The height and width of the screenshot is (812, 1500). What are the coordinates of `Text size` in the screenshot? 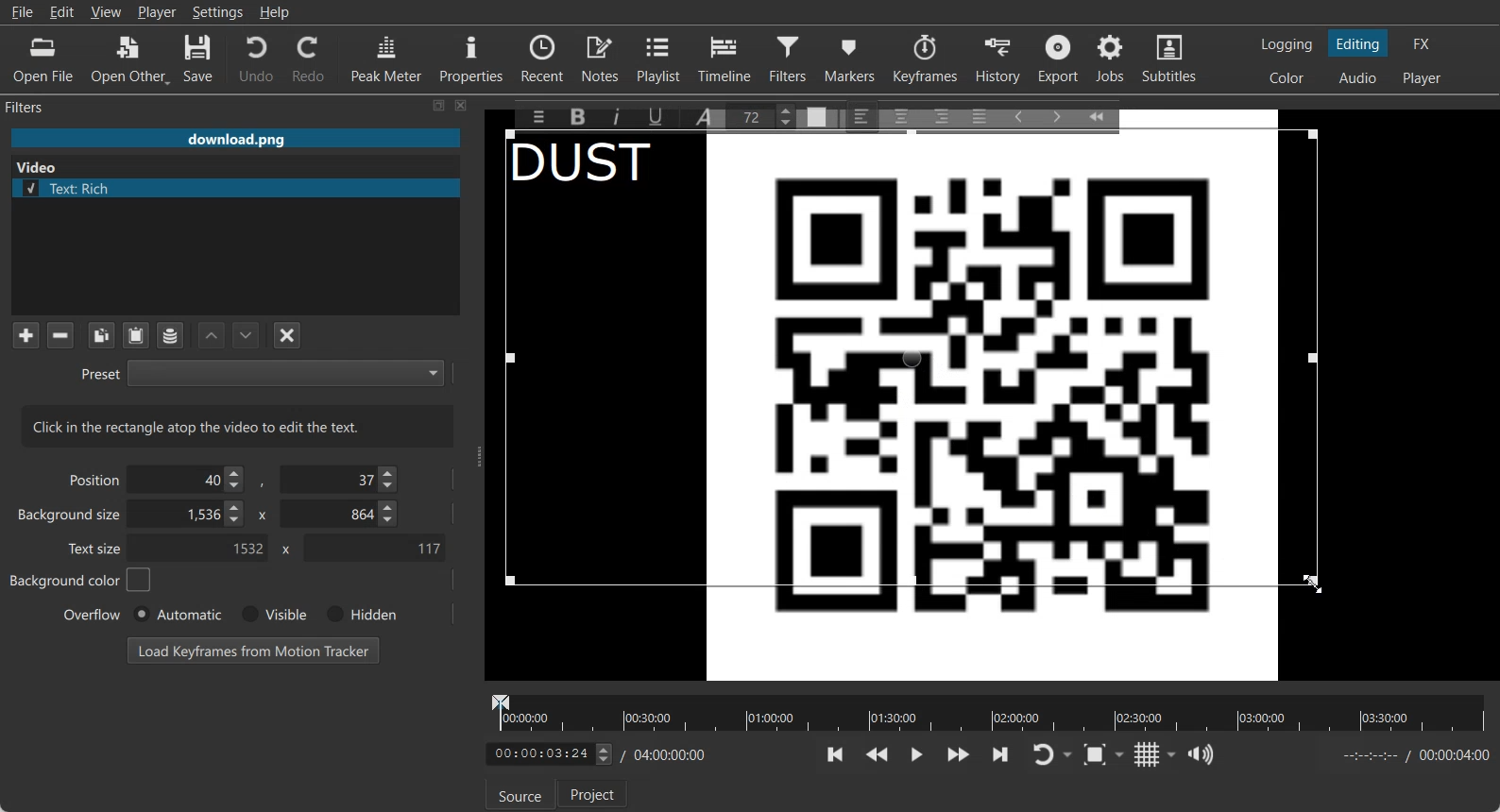 It's located at (96, 548).